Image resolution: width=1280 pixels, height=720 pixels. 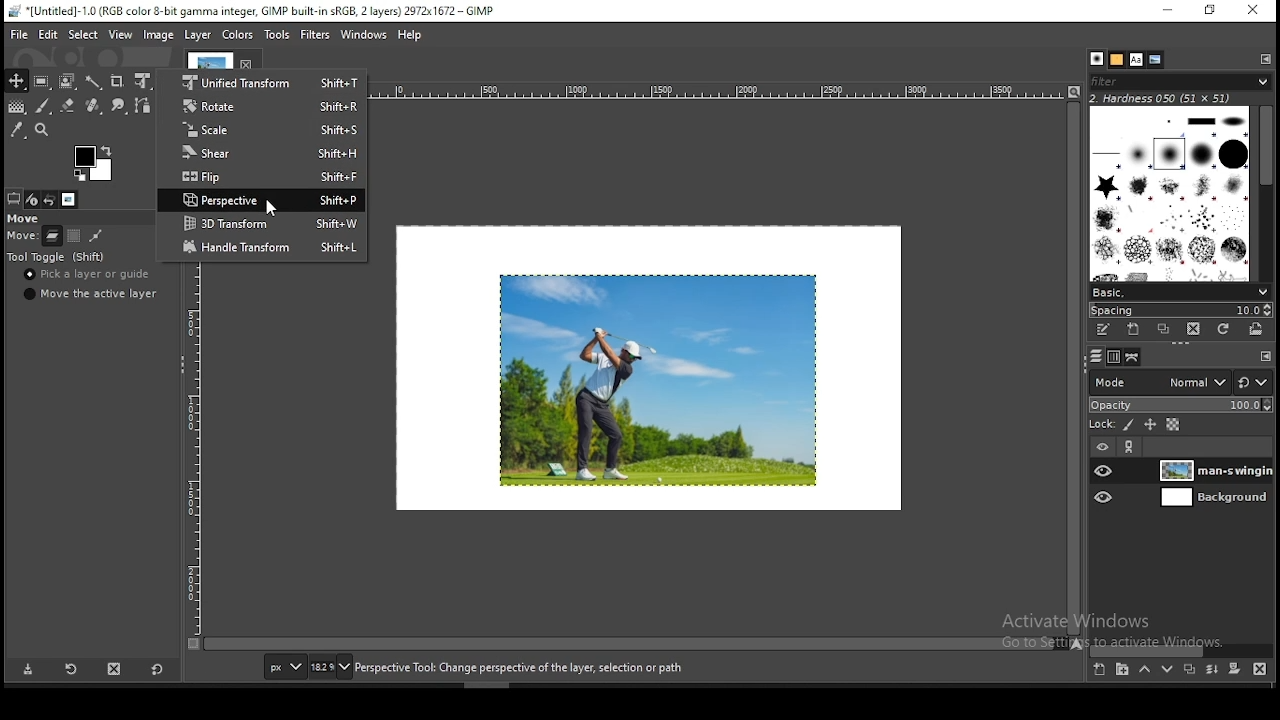 What do you see at coordinates (1119, 670) in the screenshot?
I see `new layer group` at bounding box center [1119, 670].